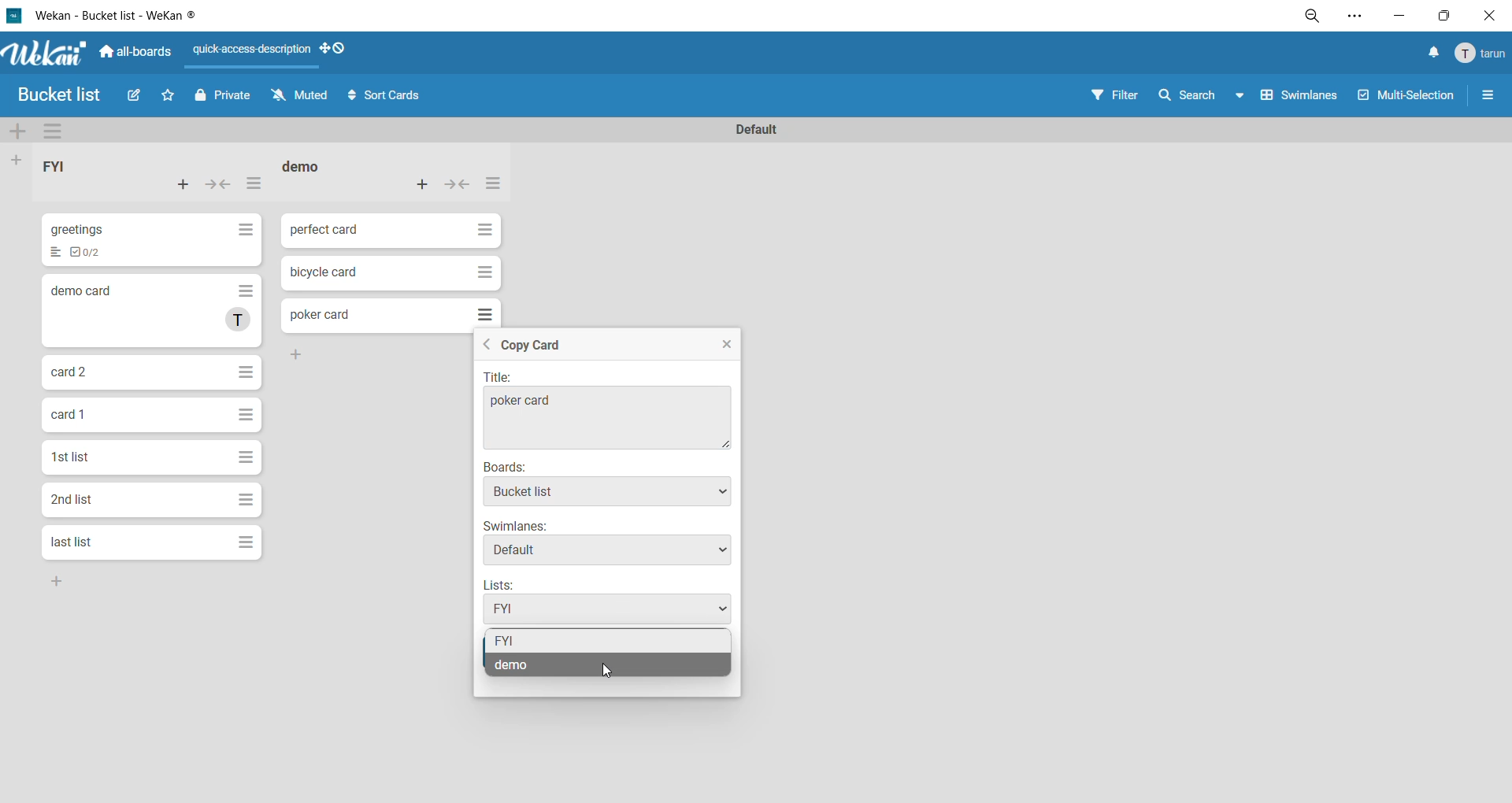  I want to click on 1st list, so click(71, 457).